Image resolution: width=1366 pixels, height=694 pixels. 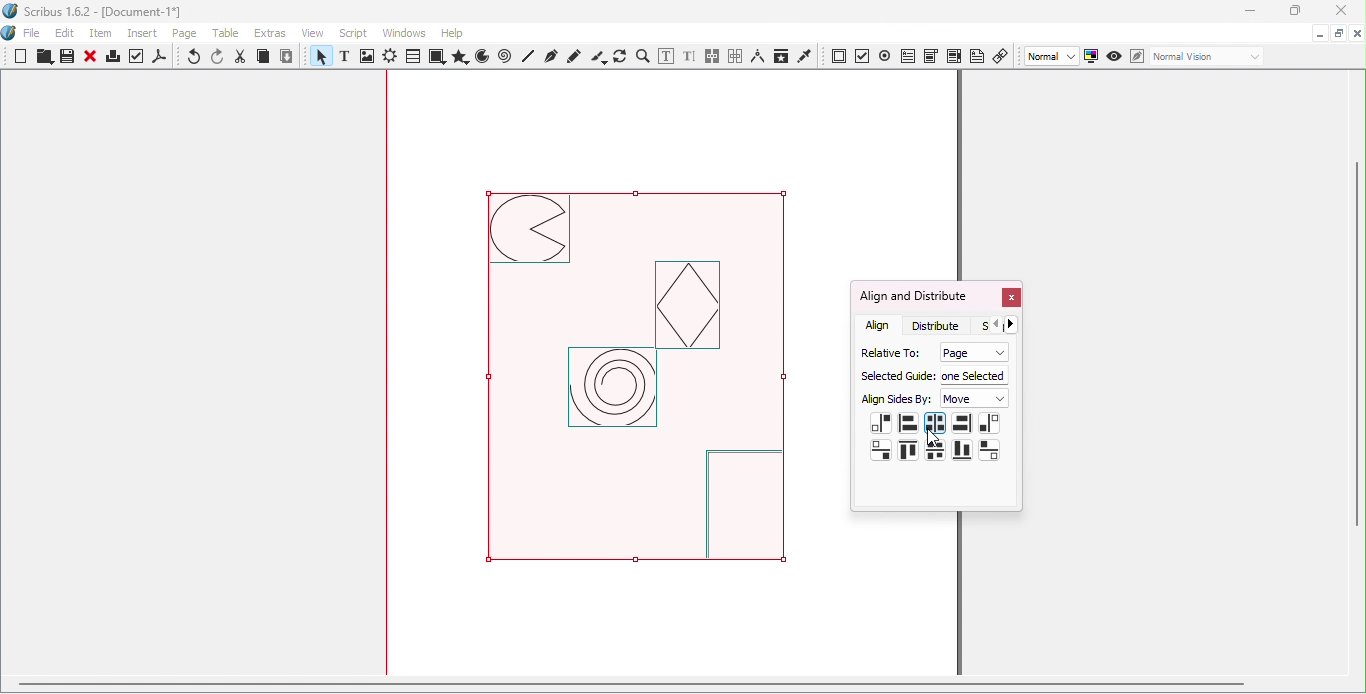 What do you see at coordinates (1337, 12) in the screenshot?
I see `Close` at bounding box center [1337, 12].